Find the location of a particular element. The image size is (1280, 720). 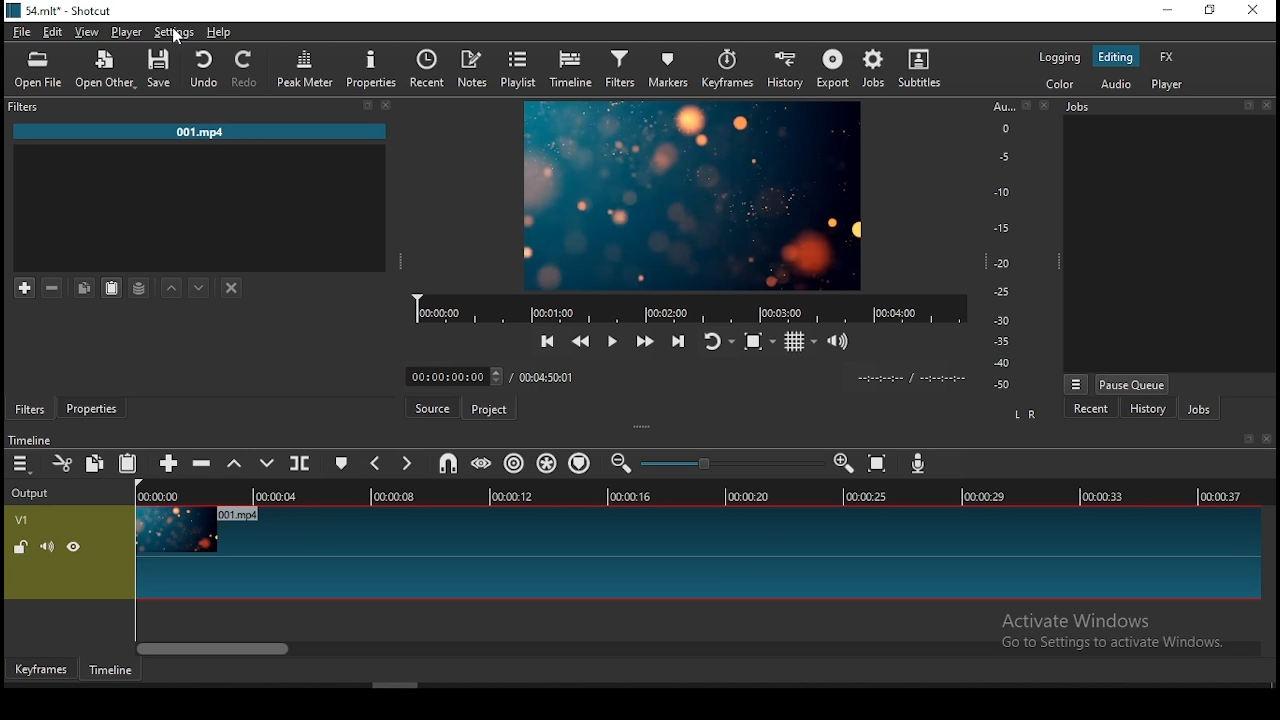

total time is located at coordinates (545, 379).